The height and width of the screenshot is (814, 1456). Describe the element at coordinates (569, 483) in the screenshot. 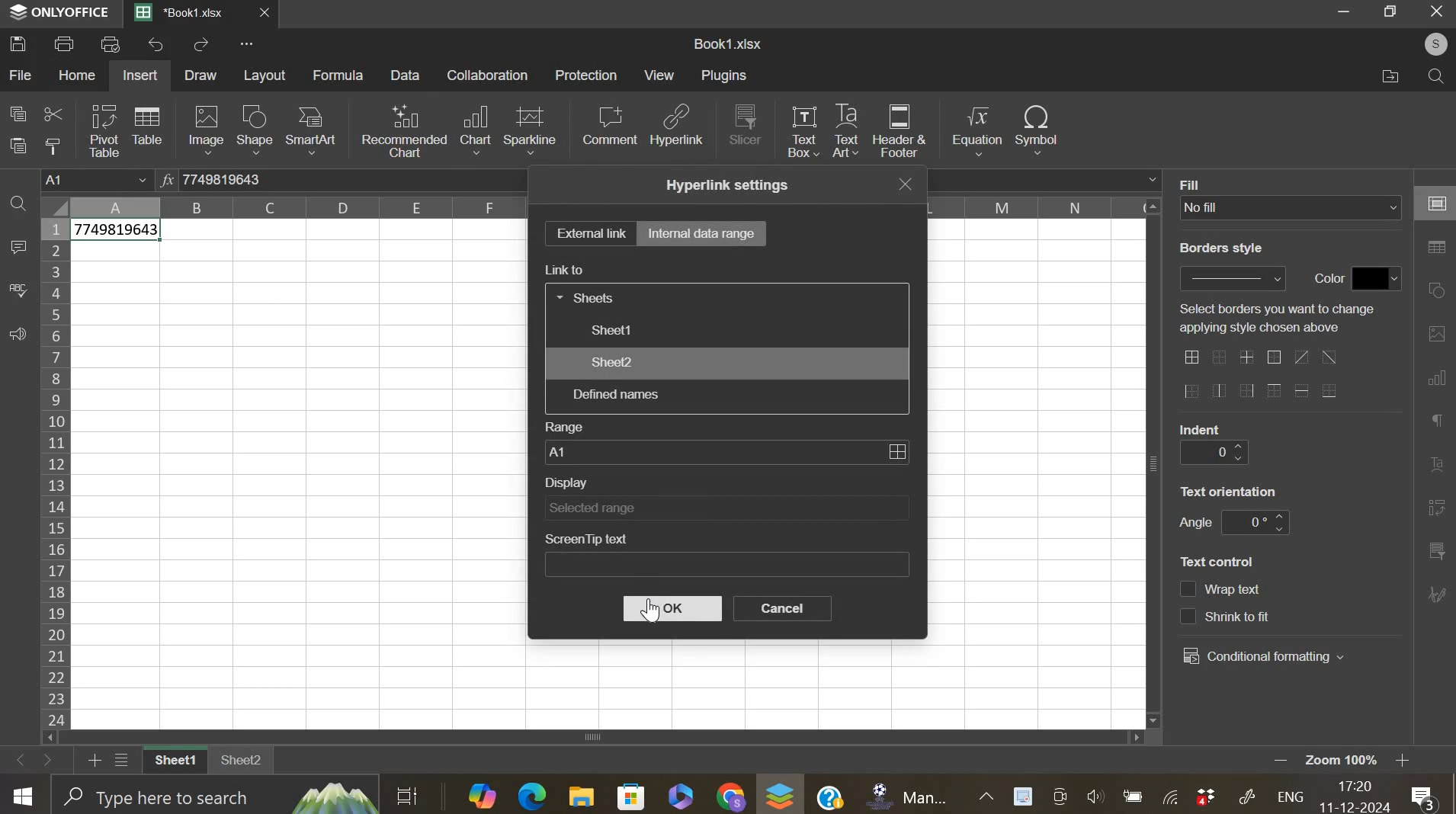

I see `display` at that location.